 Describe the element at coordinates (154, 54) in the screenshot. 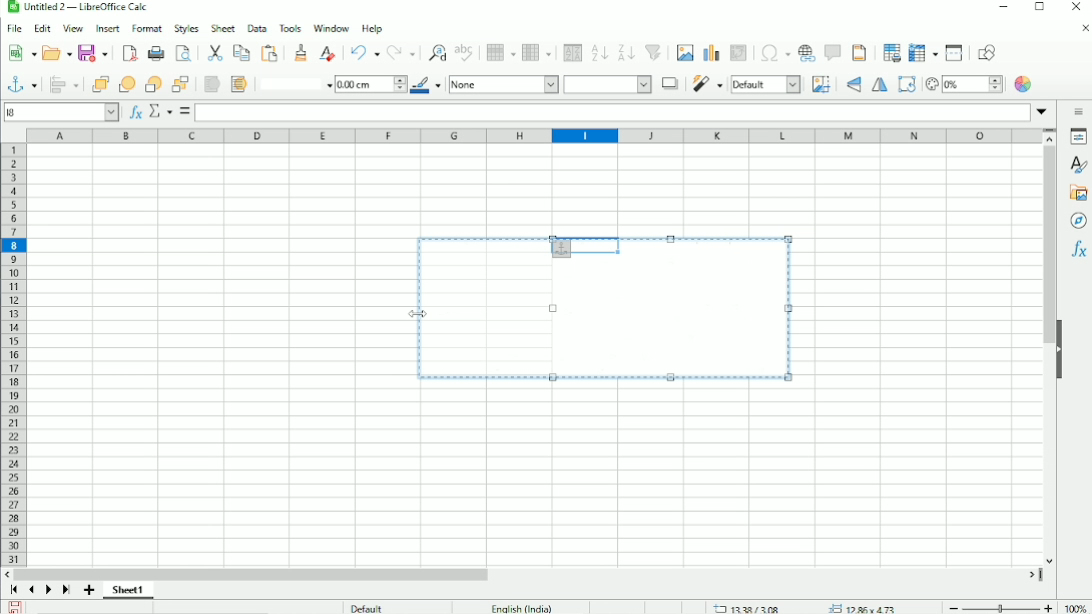

I see `Print` at that location.